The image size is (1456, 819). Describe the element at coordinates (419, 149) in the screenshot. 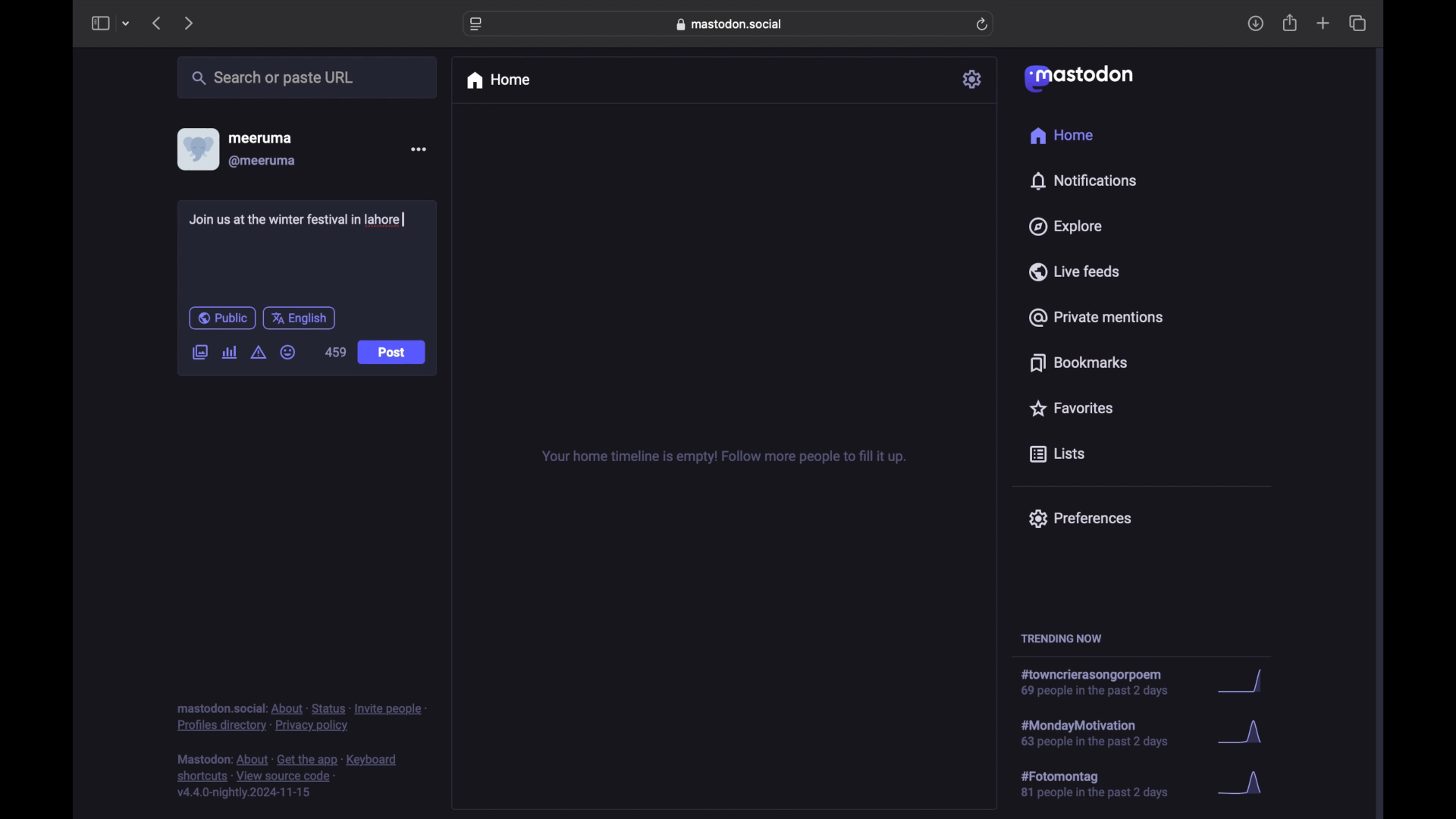

I see `more options` at that location.